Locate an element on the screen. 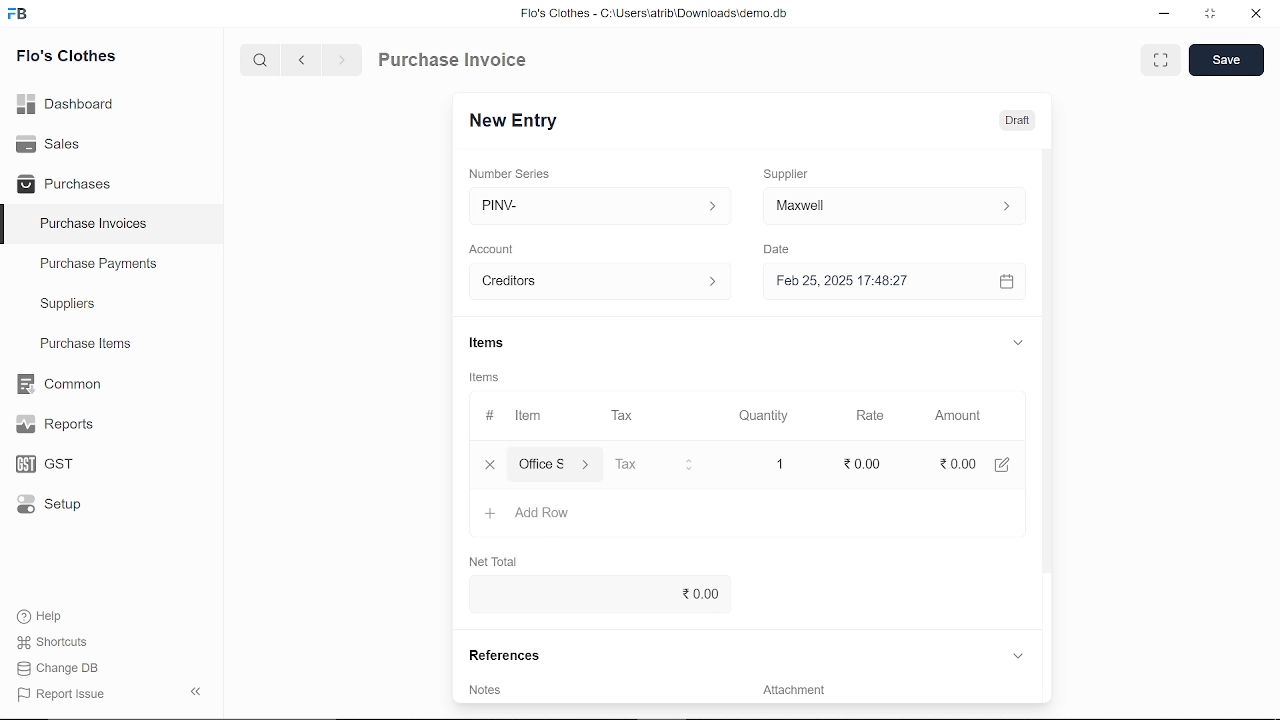 The image size is (1280, 720). Items is located at coordinates (490, 379).